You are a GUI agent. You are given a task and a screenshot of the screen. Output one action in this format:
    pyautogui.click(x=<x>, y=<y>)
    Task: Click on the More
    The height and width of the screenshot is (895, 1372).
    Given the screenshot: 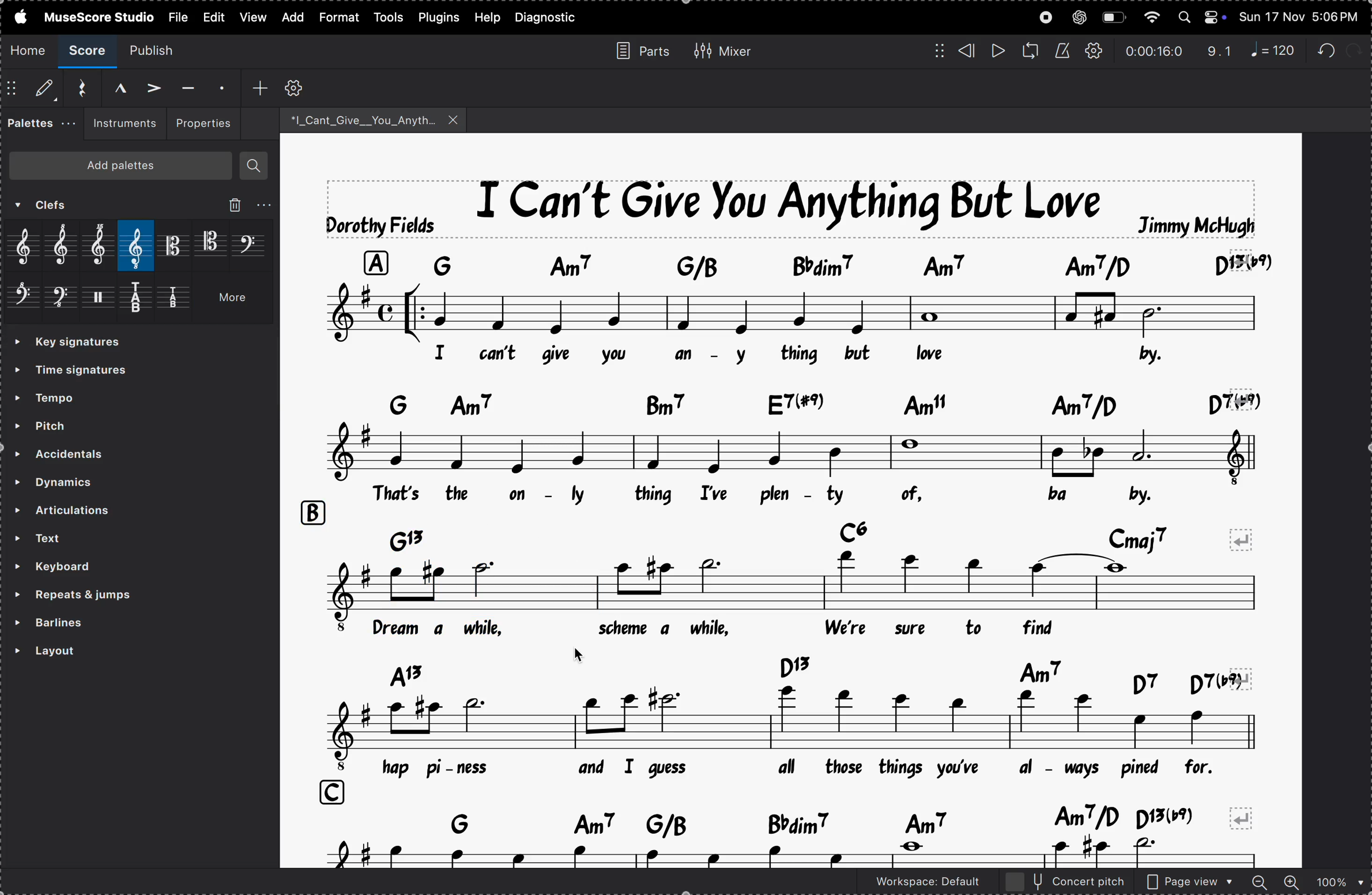 What is the action you would take?
    pyautogui.click(x=237, y=301)
    